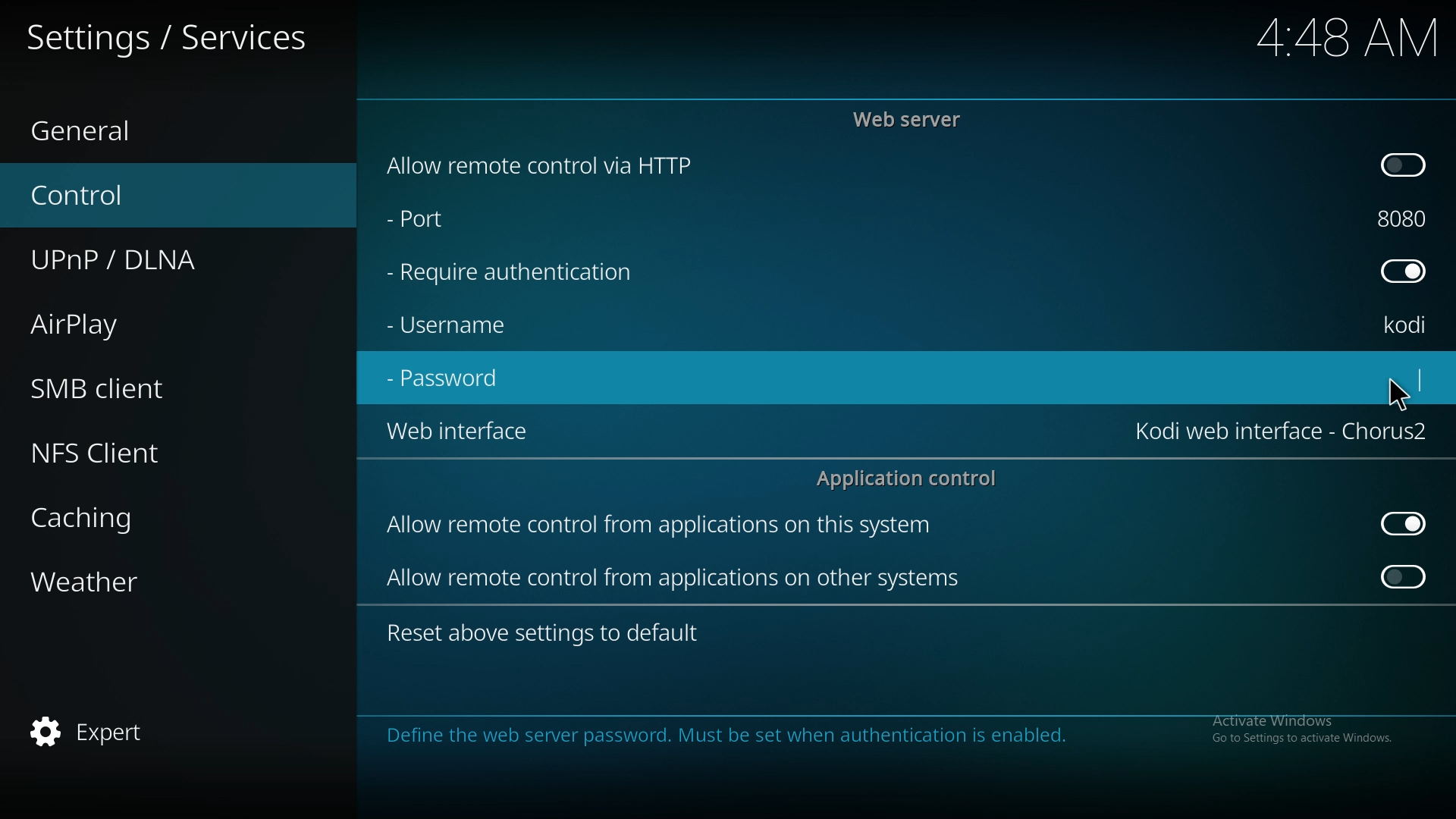 This screenshot has height=819, width=1456. Describe the element at coordinates (1410, 325) in the screenshot. I see `kodi` at that location.